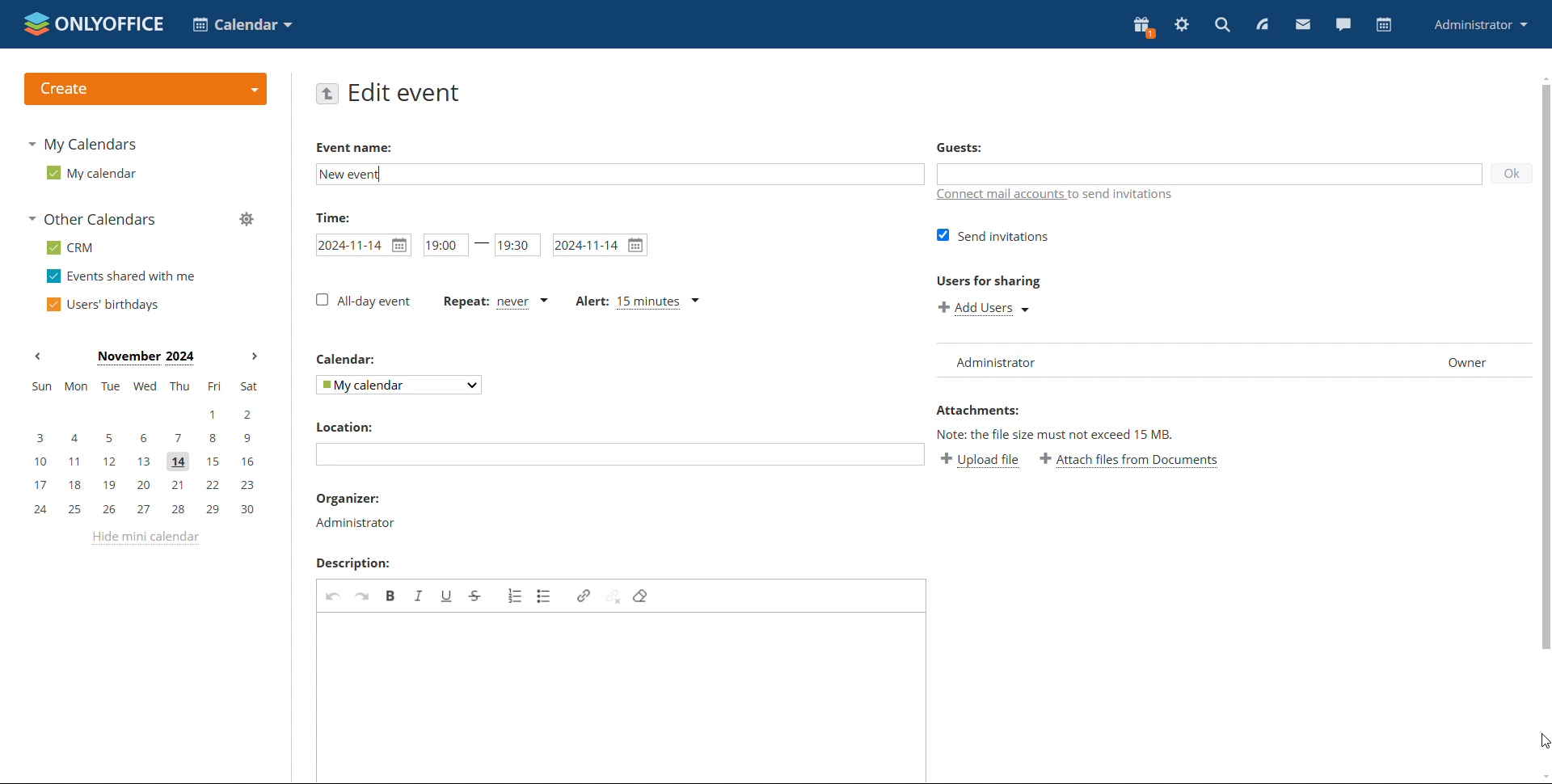  Describe the element at coordinates (120, 276) in the screenshot. I see `events shared with me` at that location.